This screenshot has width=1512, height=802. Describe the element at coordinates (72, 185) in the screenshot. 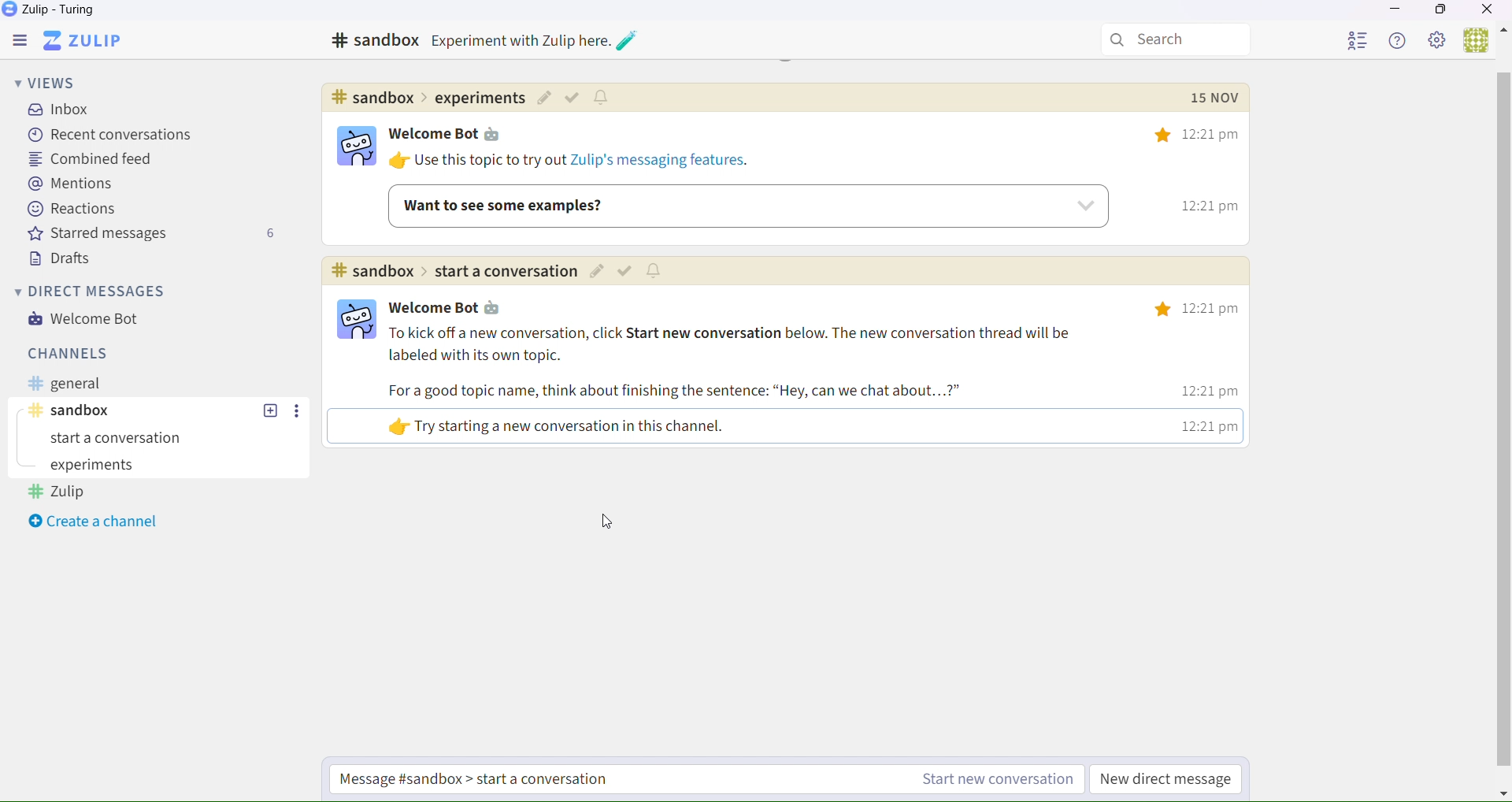

I see `Mentions` at that location.